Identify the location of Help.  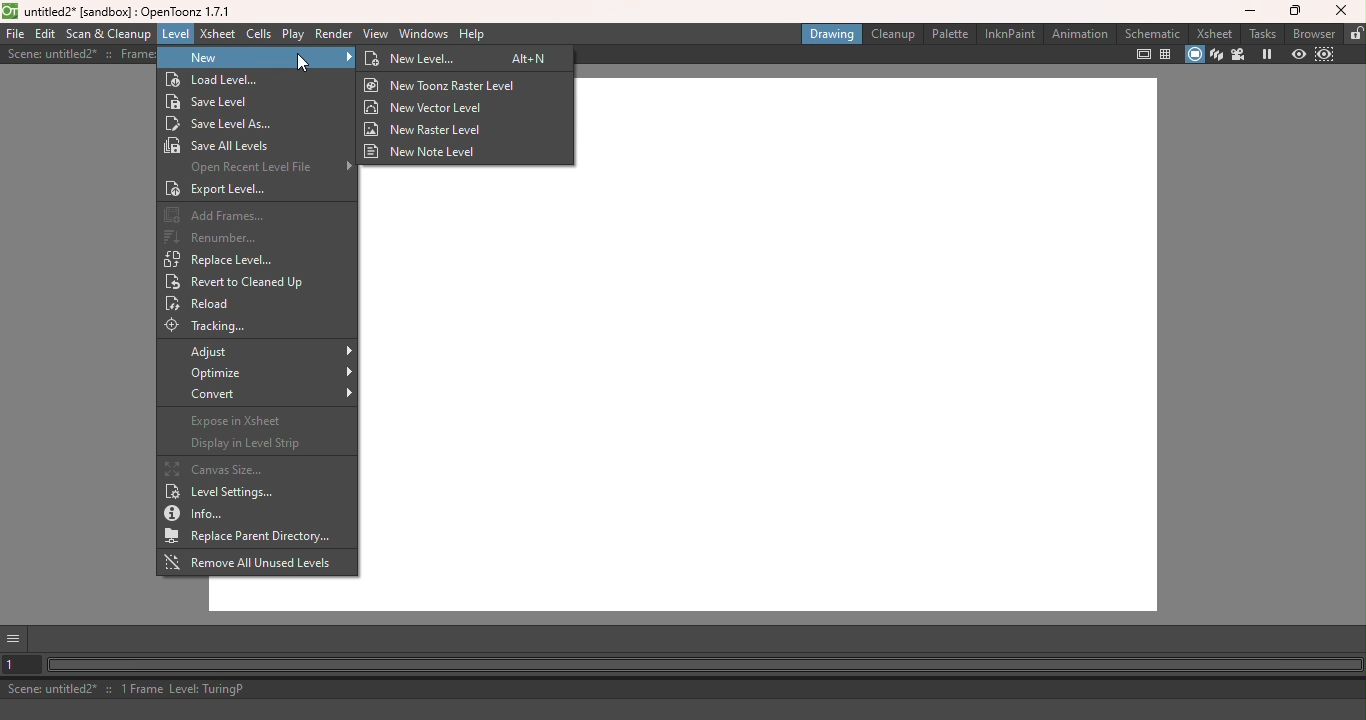
(474, 35).